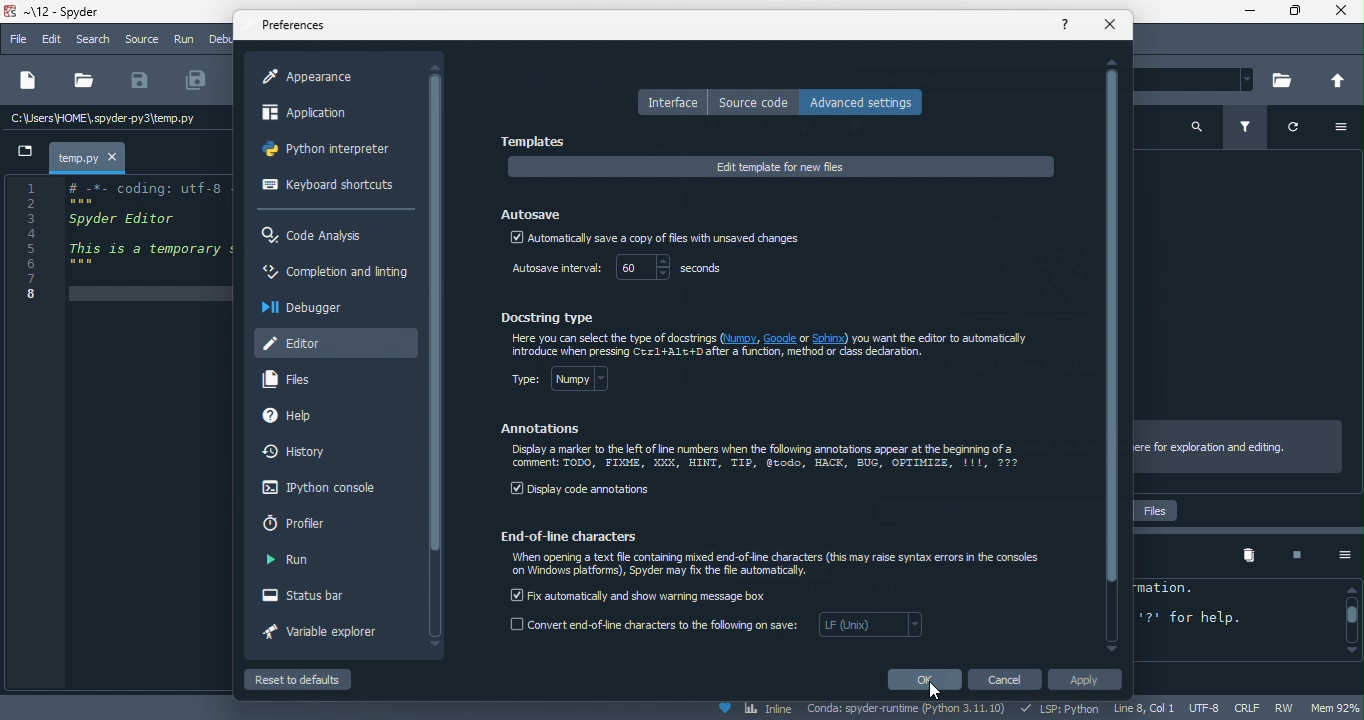 The width and height of the screenshot is (1364, 720). I want to click on end of the characters, so click(578, 535).